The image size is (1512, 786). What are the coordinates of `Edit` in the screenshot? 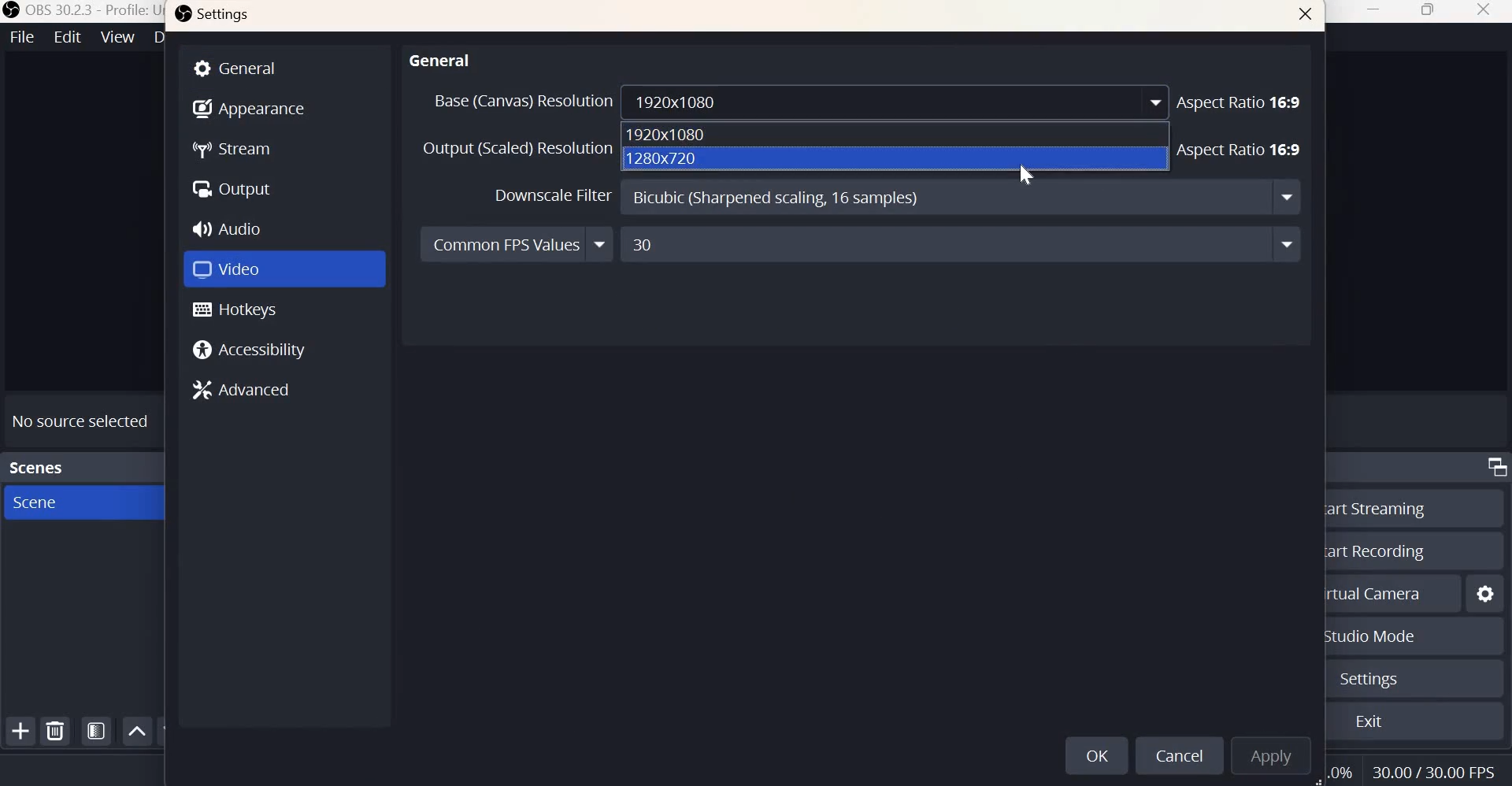 It's located at (65, 37).